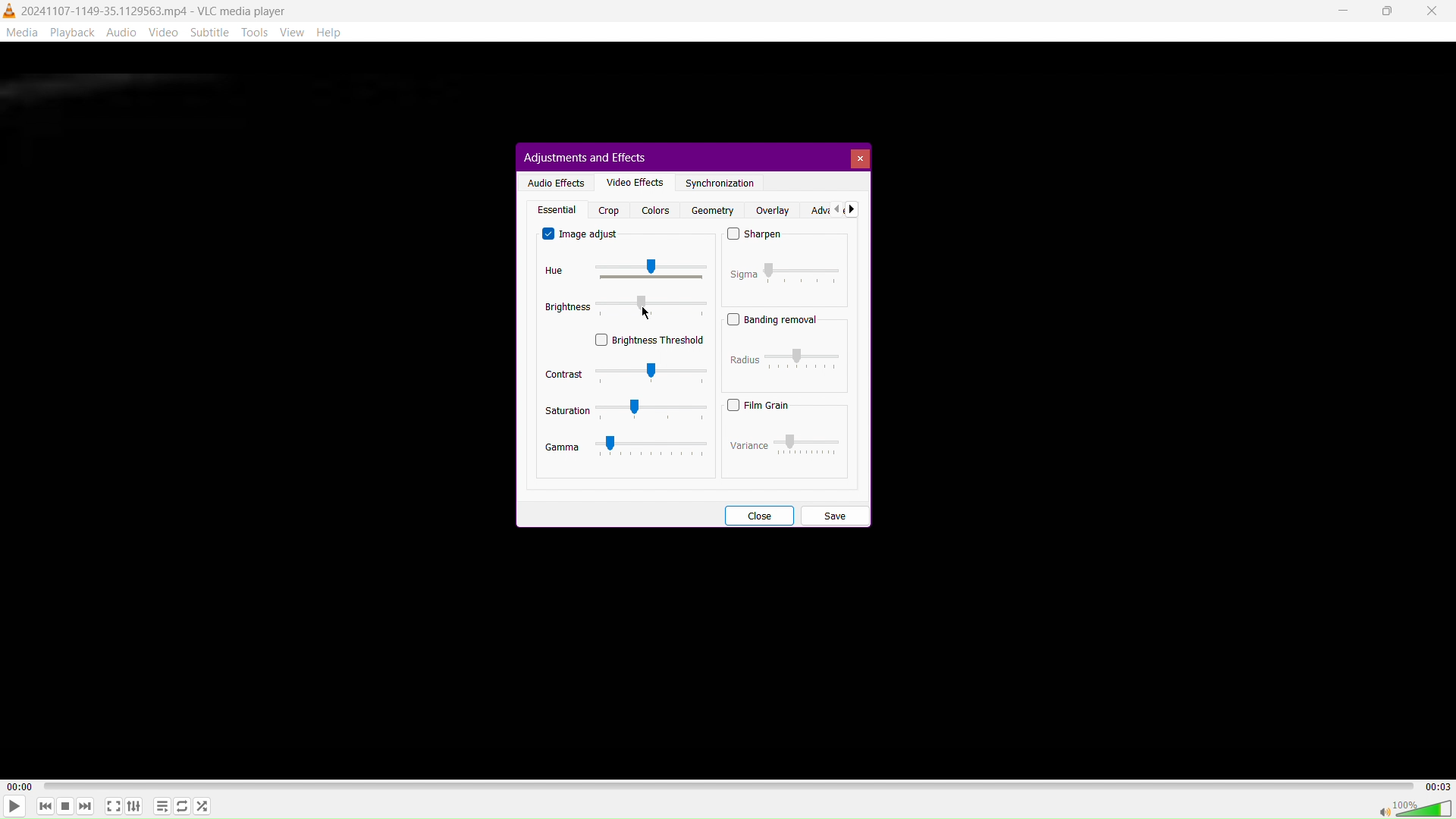 Image resolution: width=1456 pixels, height=819 pixels. Describe the element at coordinates (772, 210) in the screenshot. I see `Overlay` at that location.